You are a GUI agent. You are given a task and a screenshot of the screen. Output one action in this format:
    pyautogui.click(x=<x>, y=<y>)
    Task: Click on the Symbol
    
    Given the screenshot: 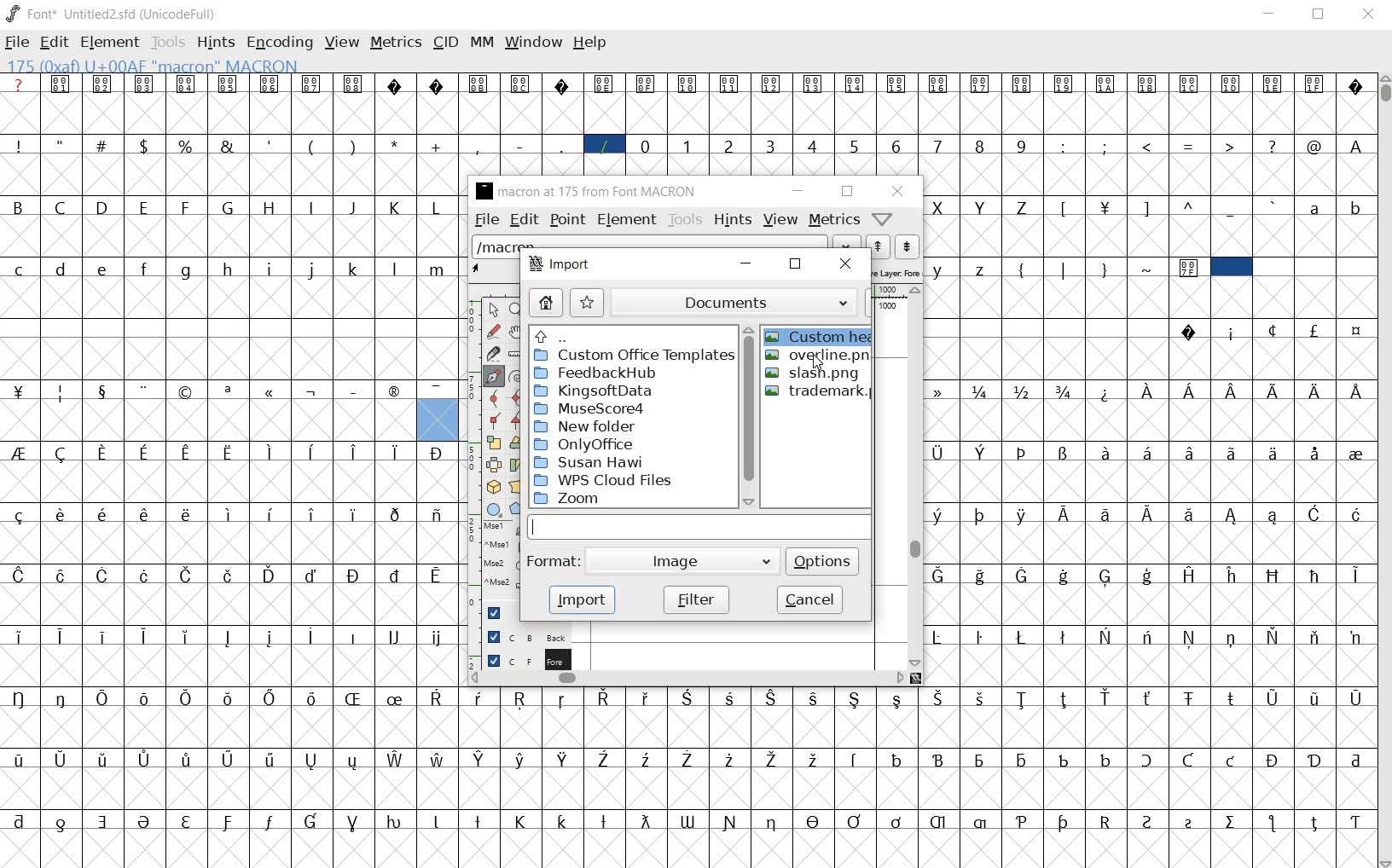 What is the action you would take?
    pyautogui.click(x=1150, y=698)
    